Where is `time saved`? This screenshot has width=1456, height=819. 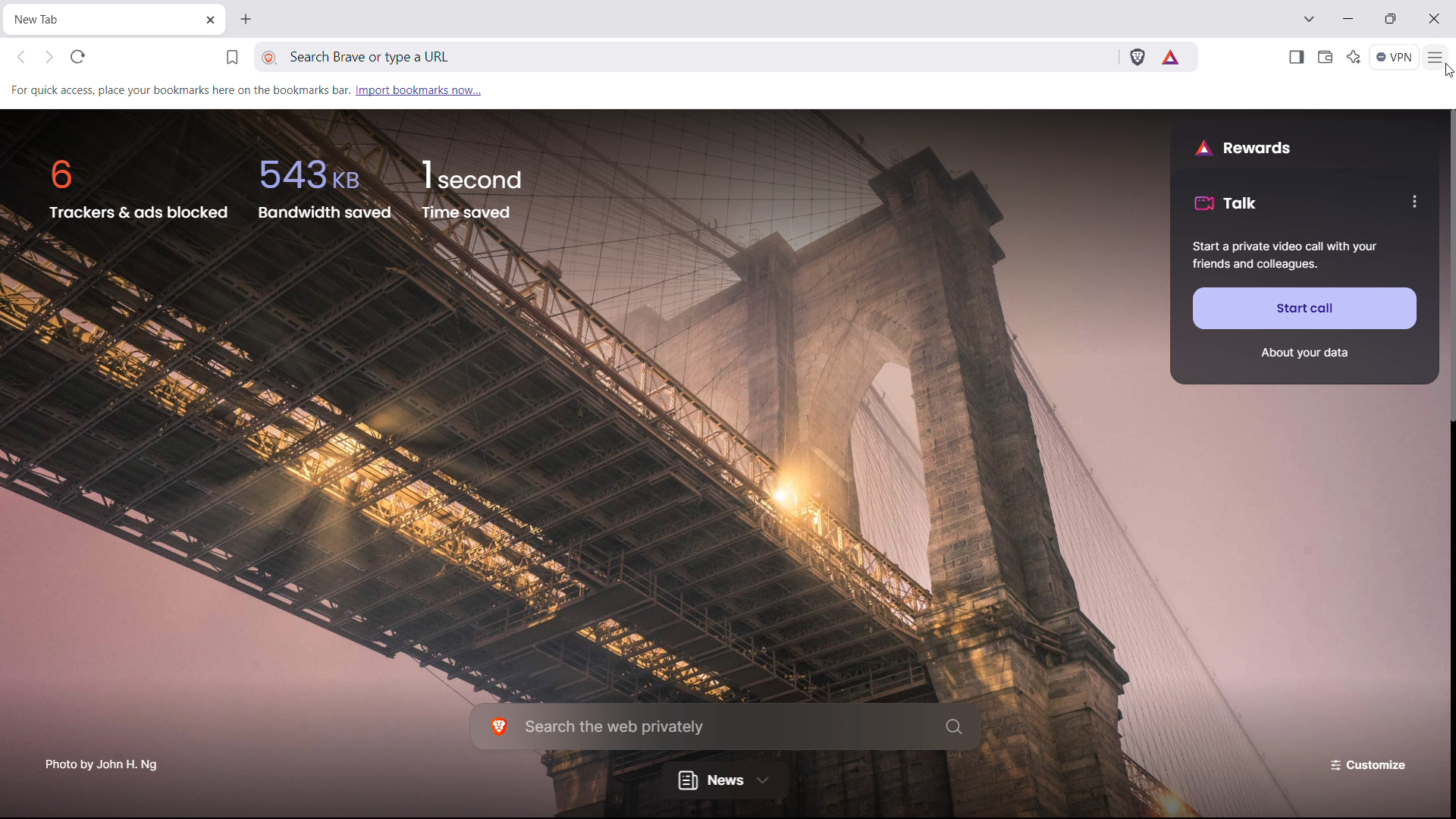
time saved is located at coordinates (474, 212).